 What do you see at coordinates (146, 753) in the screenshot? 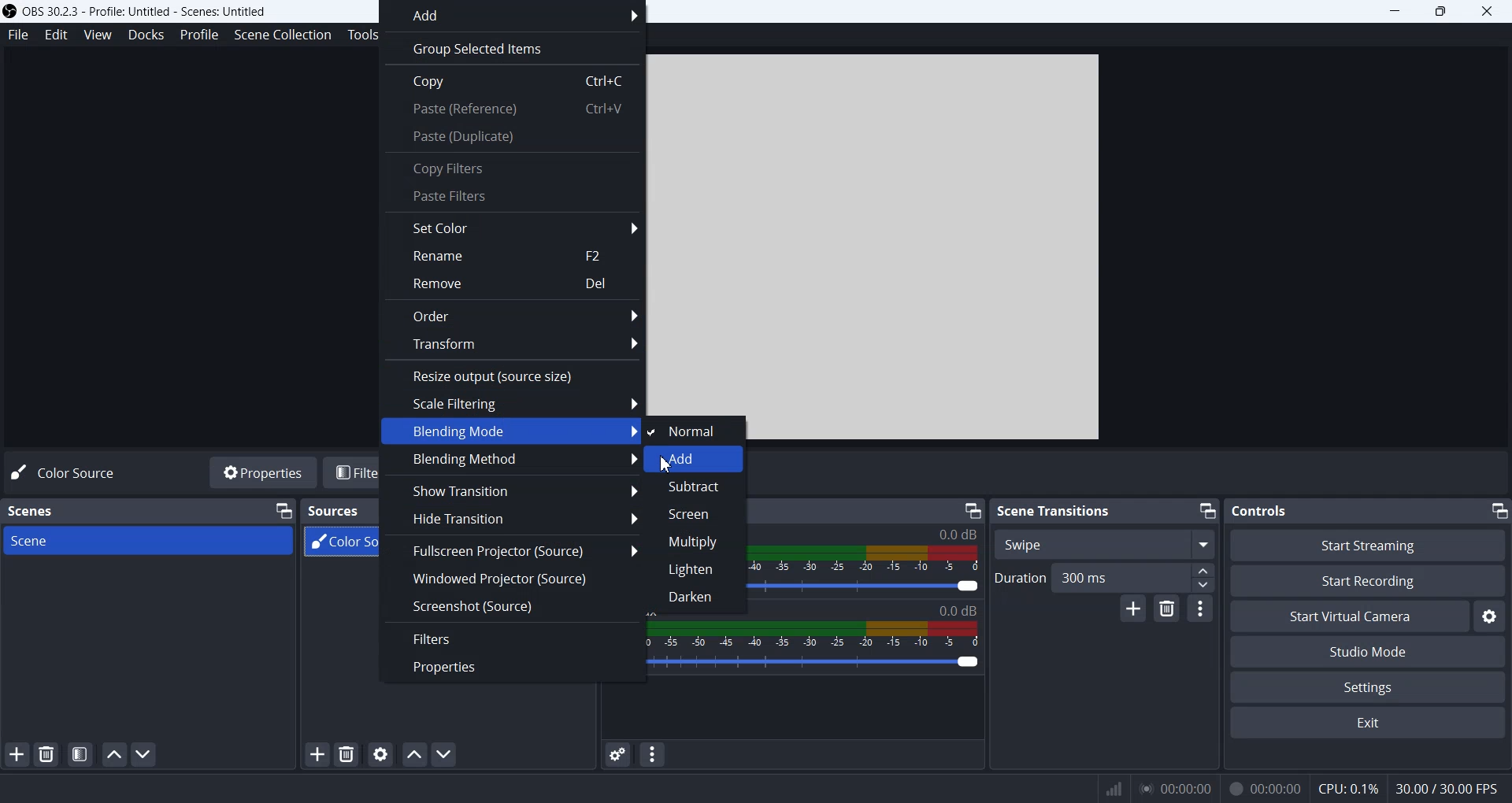
I see `Move Scene Down` at bounding box center [146, 753].